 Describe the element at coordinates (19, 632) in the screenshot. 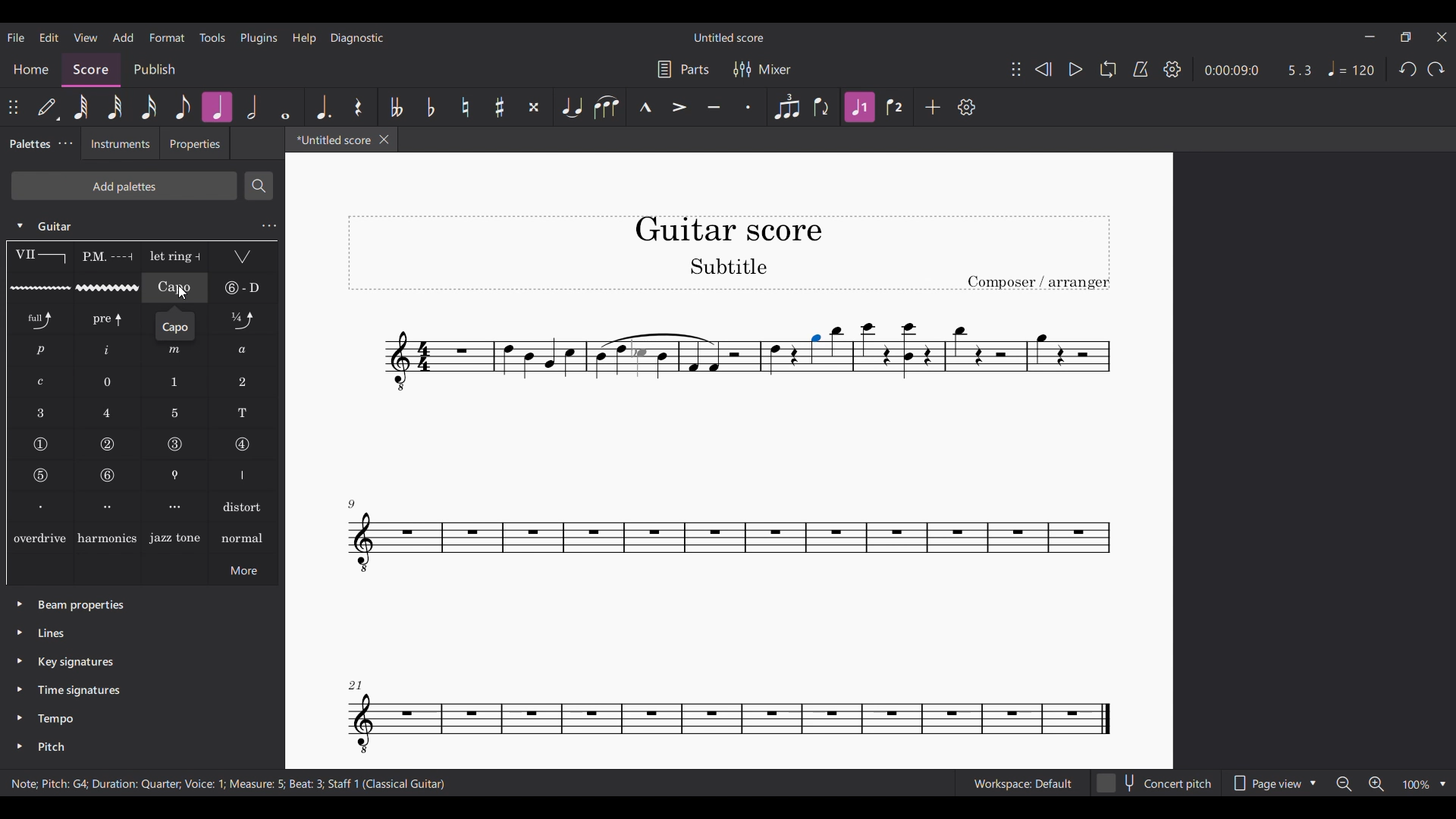

I see `Click to expand lines palette` at that location.